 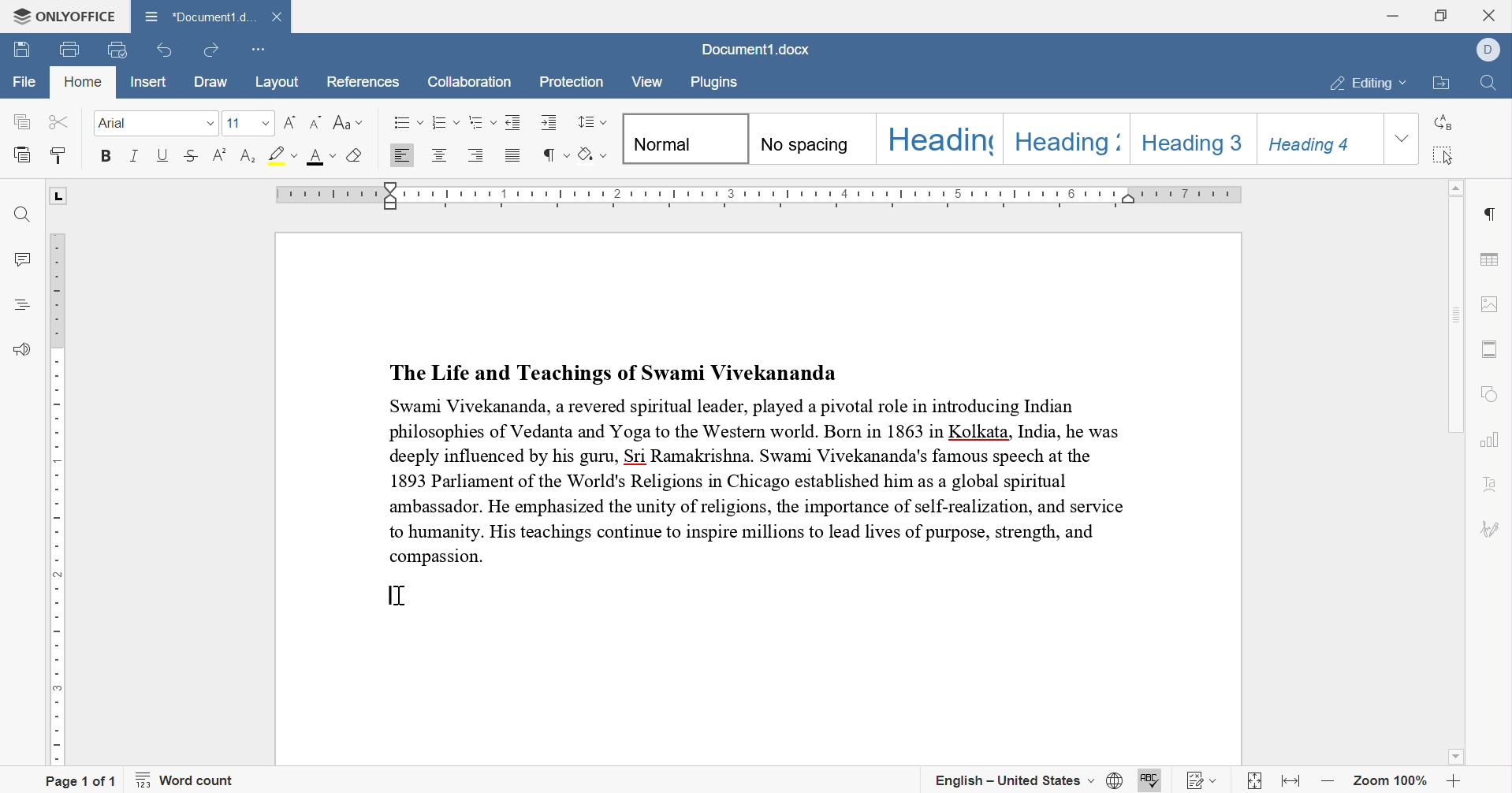 I want to click on track changes, so click(x=1203, y=782).